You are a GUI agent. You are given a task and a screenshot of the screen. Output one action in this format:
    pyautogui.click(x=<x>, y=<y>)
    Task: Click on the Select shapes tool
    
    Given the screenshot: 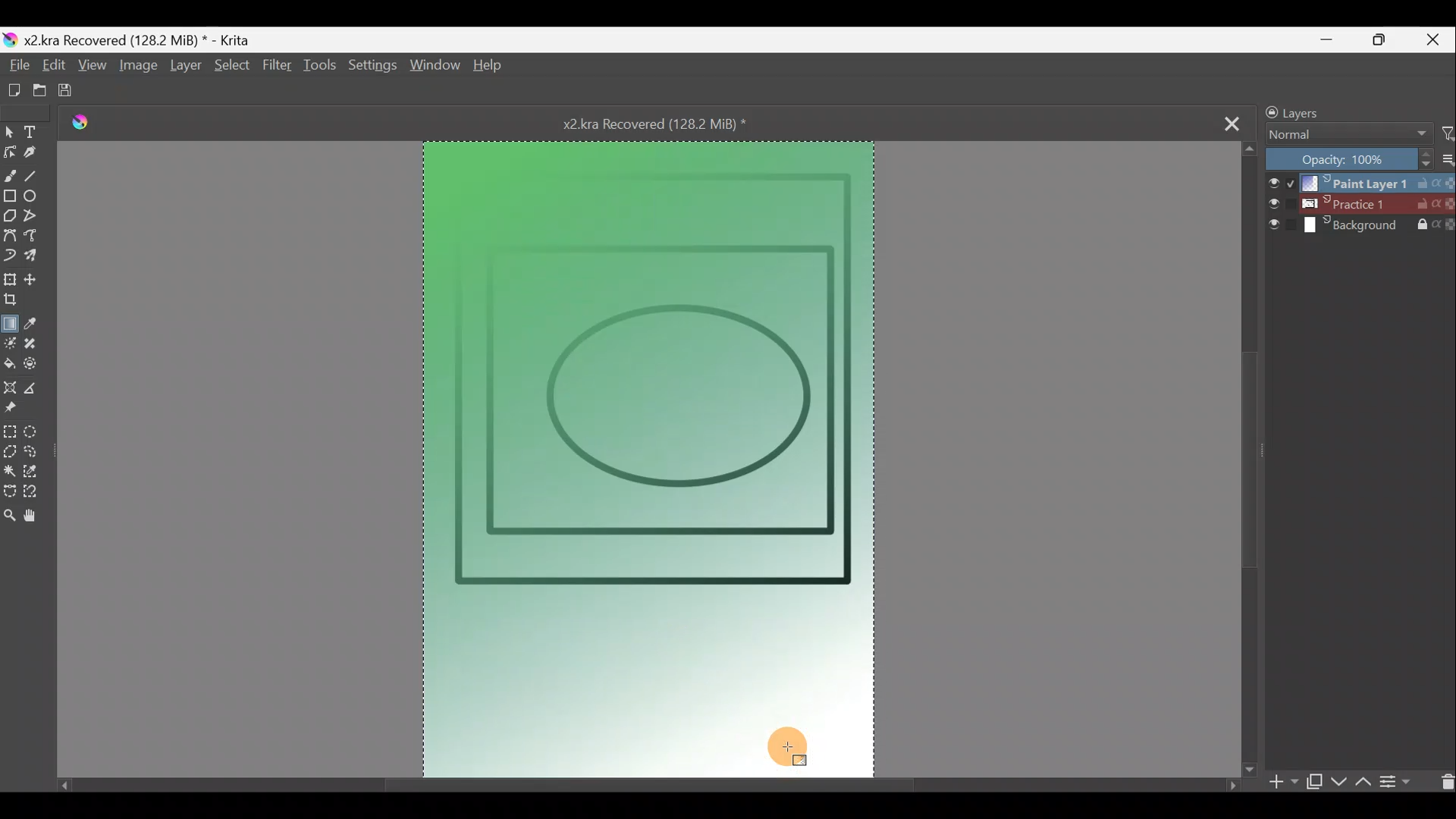 What is the action you would take?
    pyautogui.click(x=9, y=133)
    